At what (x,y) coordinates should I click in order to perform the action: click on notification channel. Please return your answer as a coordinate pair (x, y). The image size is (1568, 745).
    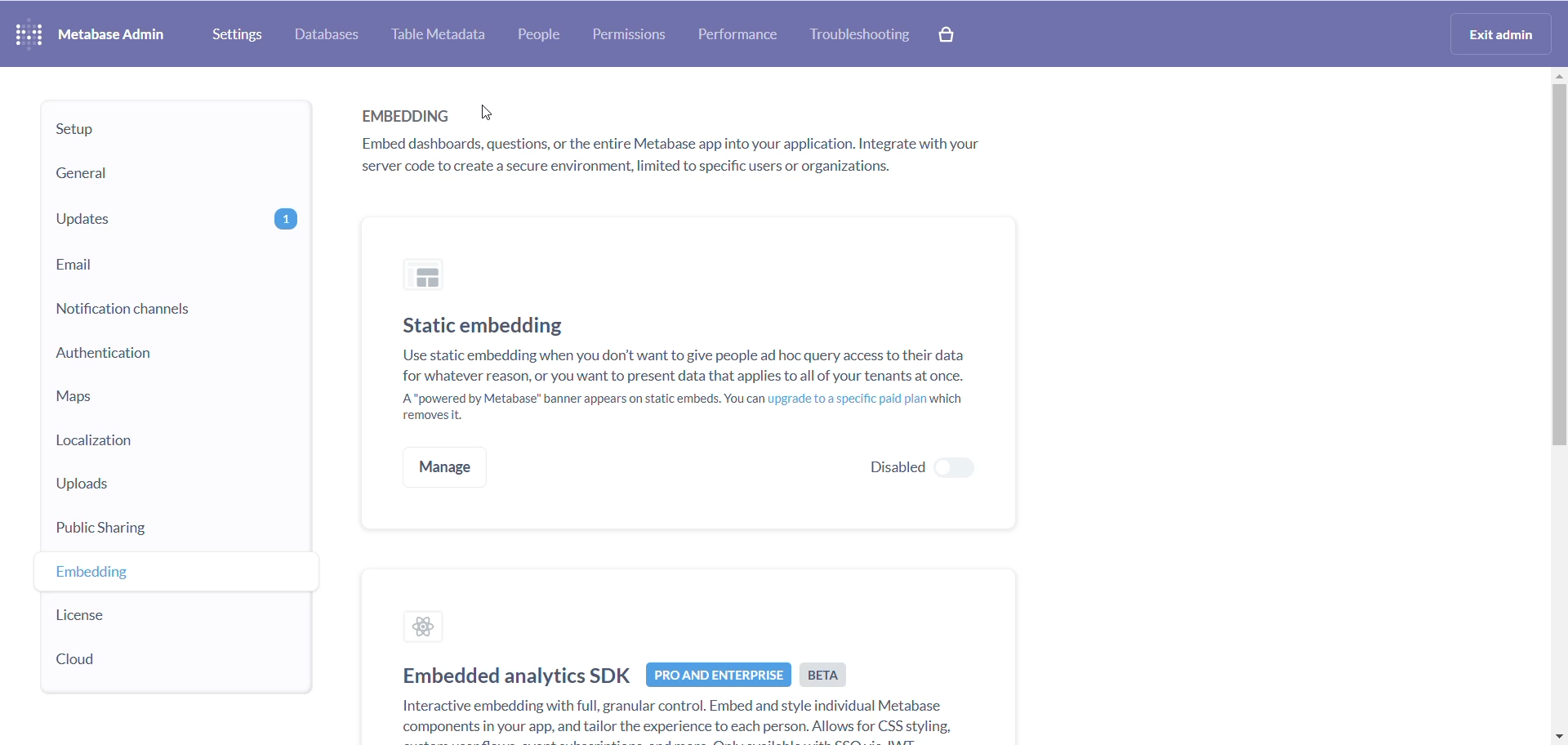
    Looking at the image, I should click on (160, 310).